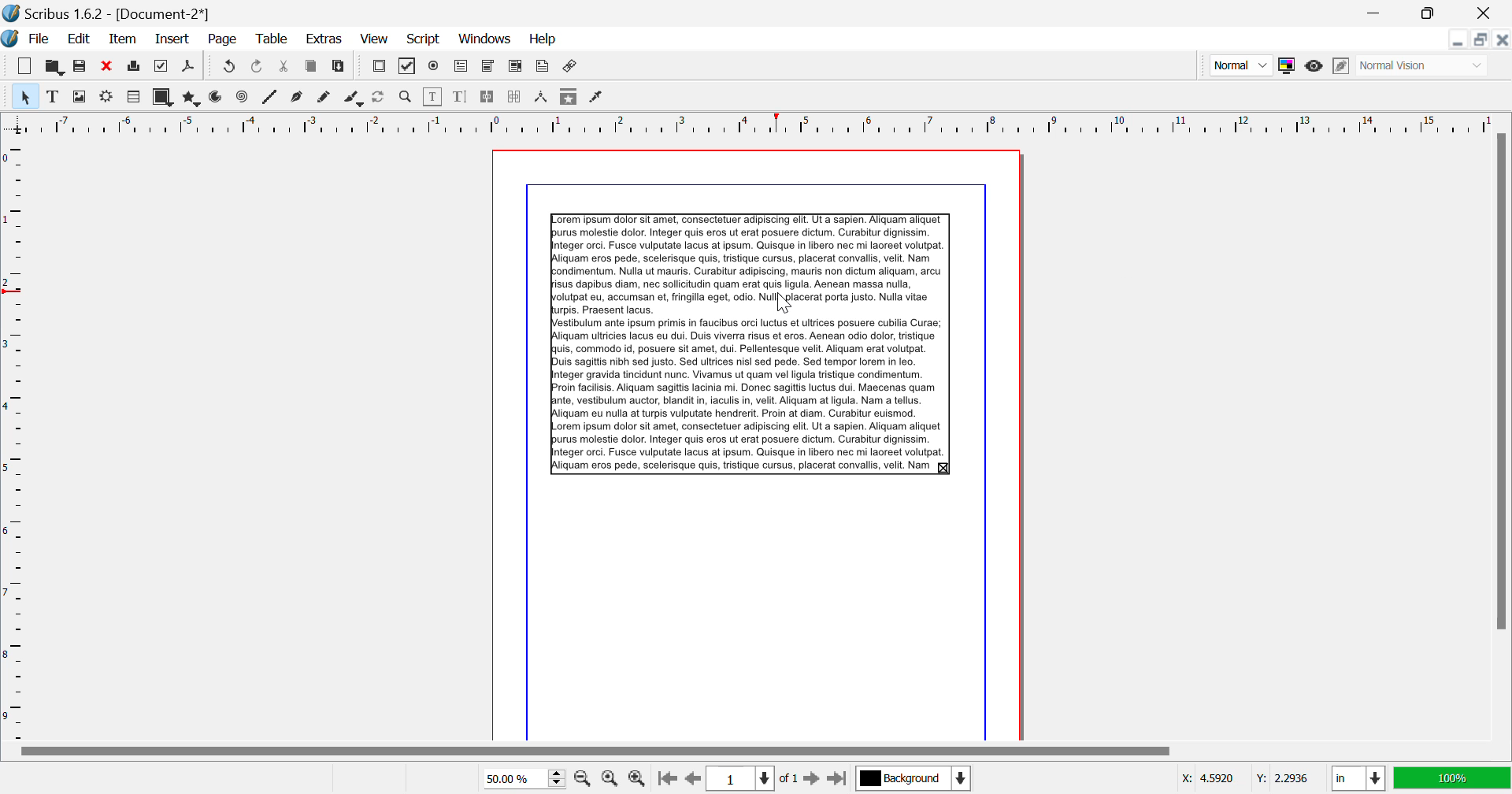 The width and height of the screenshot is (1512, 794). What do you see at coordinates (750, 343) in the screenshot?
I see `Lorem Ipsum Textframe` at bounding box center [750, 343].